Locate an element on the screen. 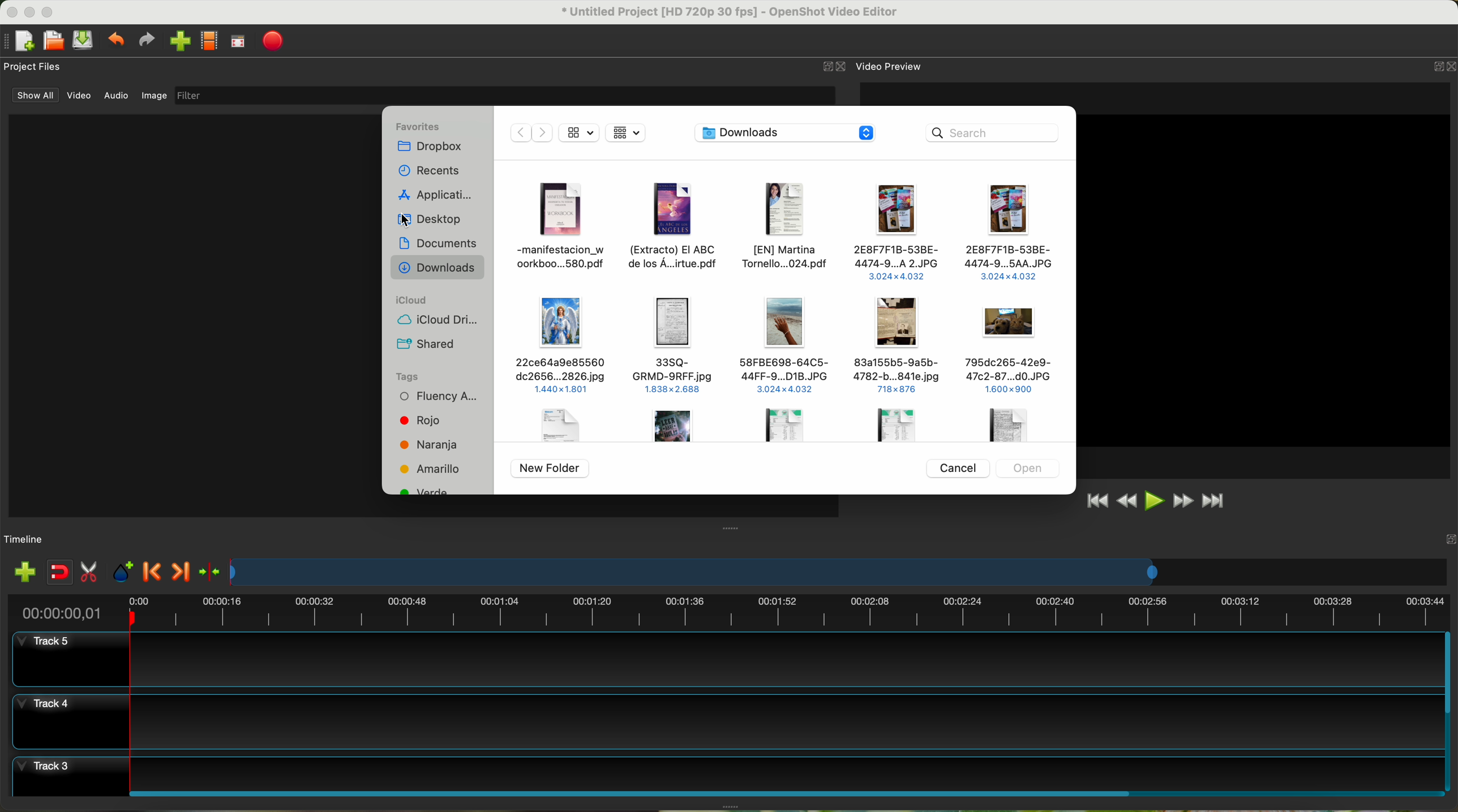  redo is located at coordinates (146, 40).